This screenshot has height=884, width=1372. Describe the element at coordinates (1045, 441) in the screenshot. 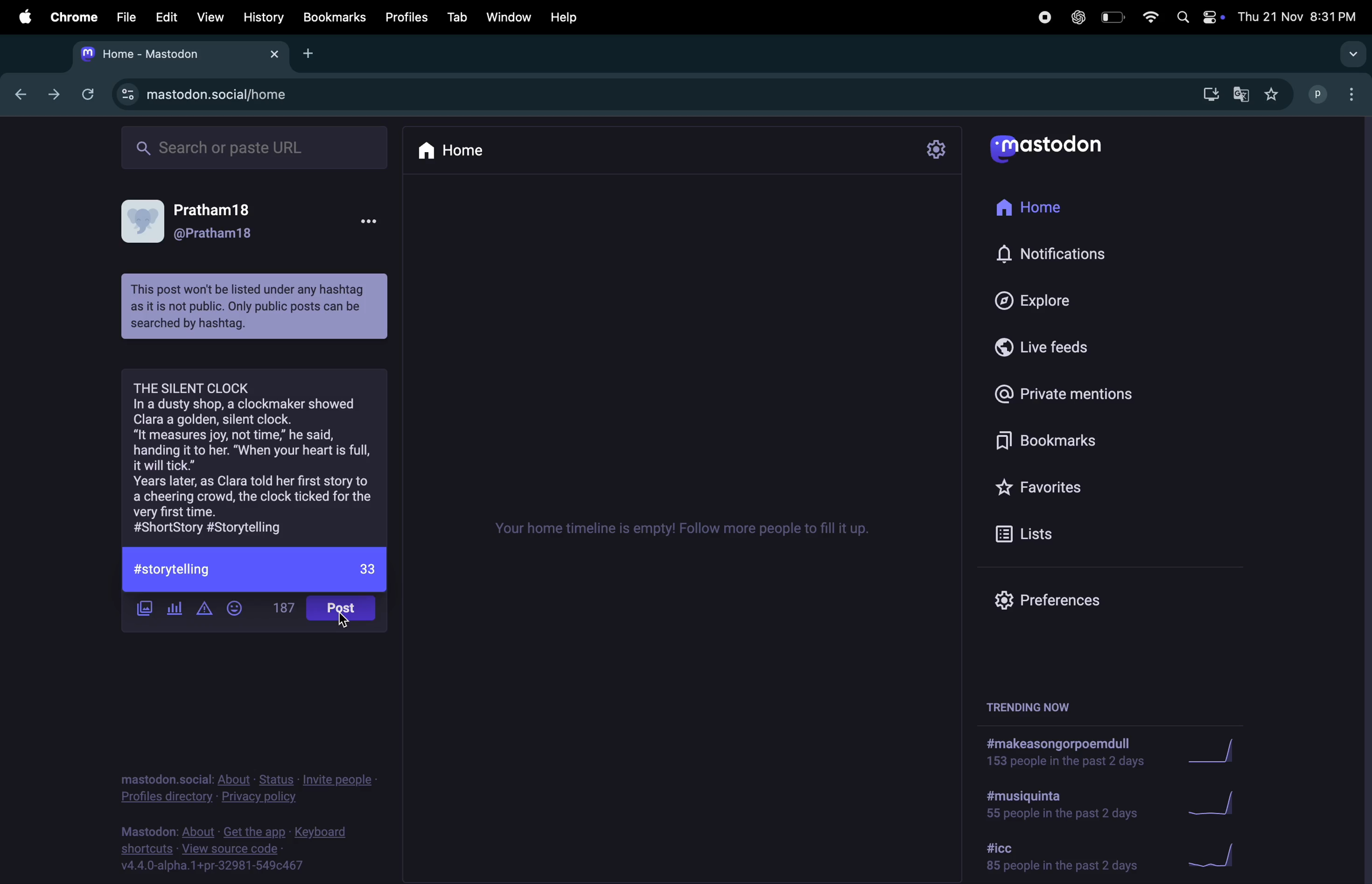

I see `bookmarks` at that location.